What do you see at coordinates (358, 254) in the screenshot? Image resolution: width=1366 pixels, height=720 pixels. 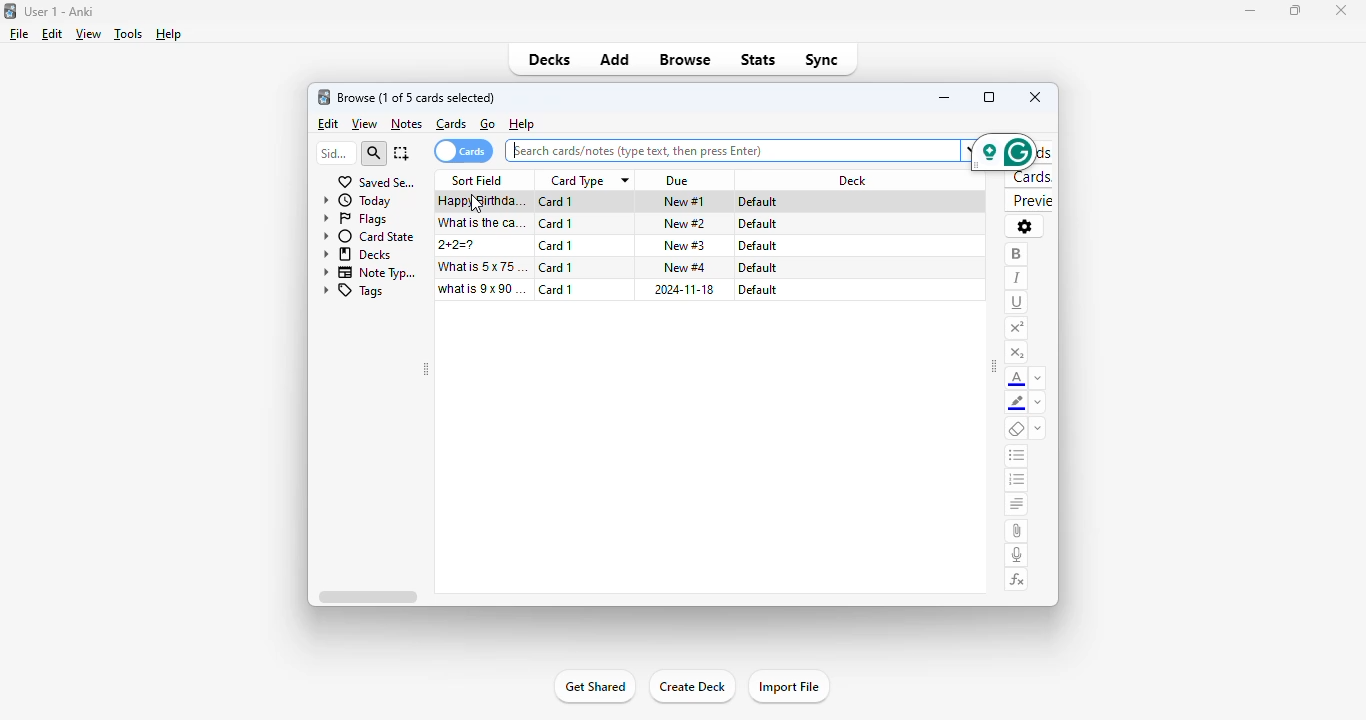 I see `decks` at bounding box center [358, 254].